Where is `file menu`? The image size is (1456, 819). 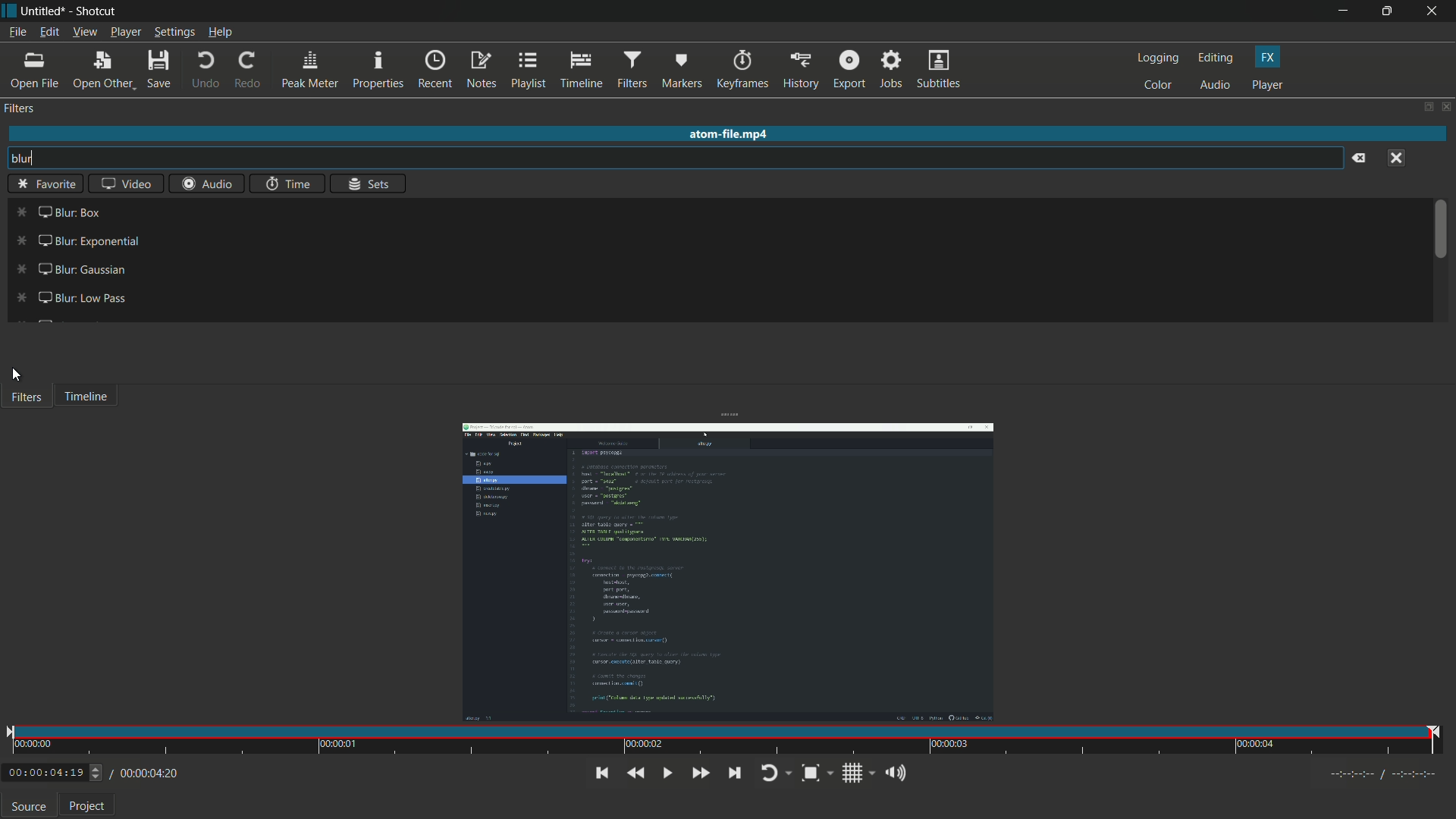
file menu is located at coordinates (17, 34).